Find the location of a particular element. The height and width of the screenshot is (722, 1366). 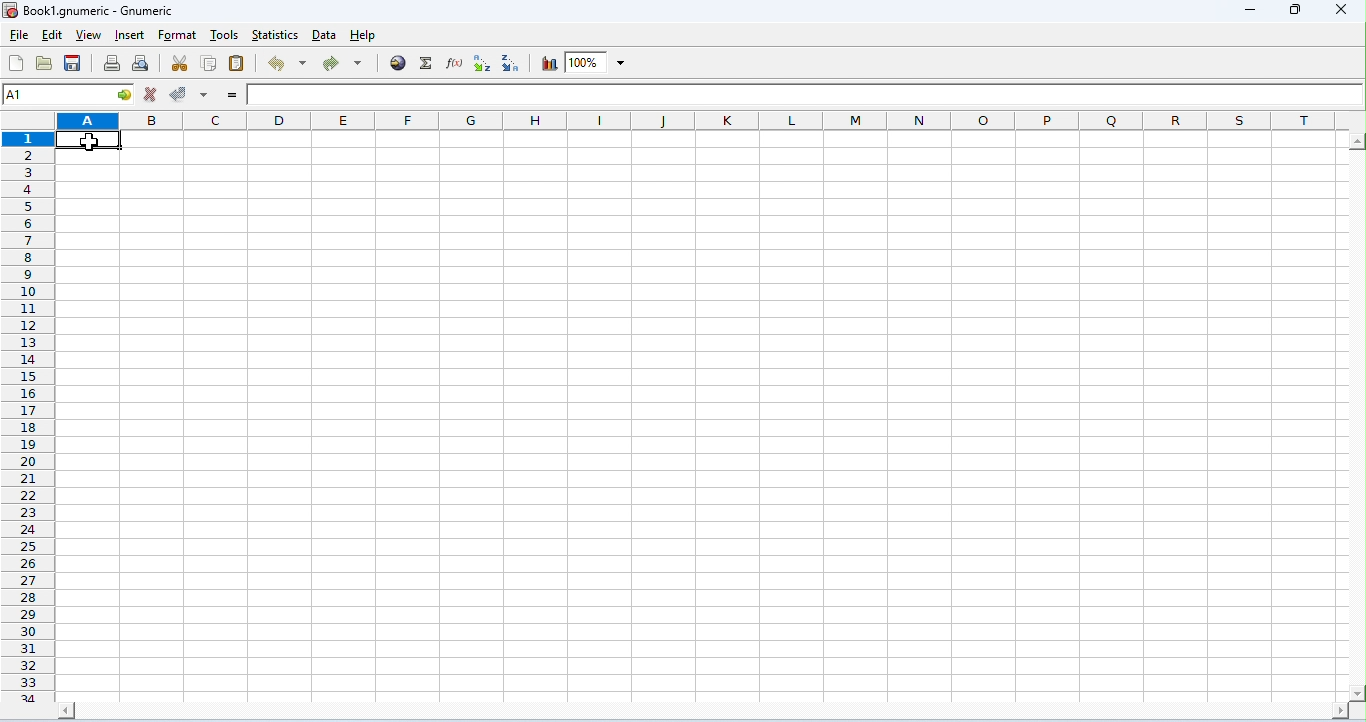

sheet1 is located at coordinates (21, 707).